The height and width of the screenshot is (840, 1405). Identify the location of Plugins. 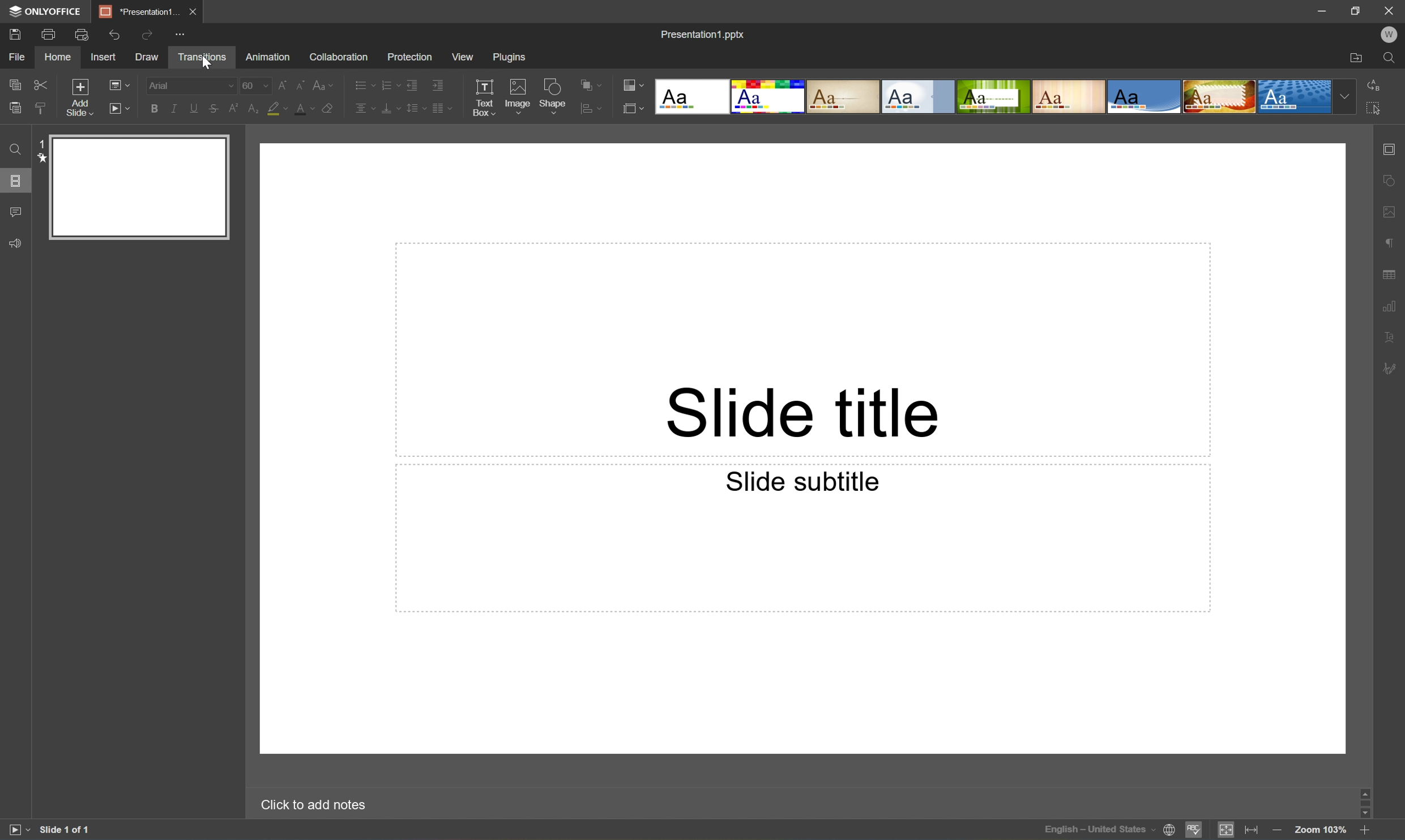
(510, 56).